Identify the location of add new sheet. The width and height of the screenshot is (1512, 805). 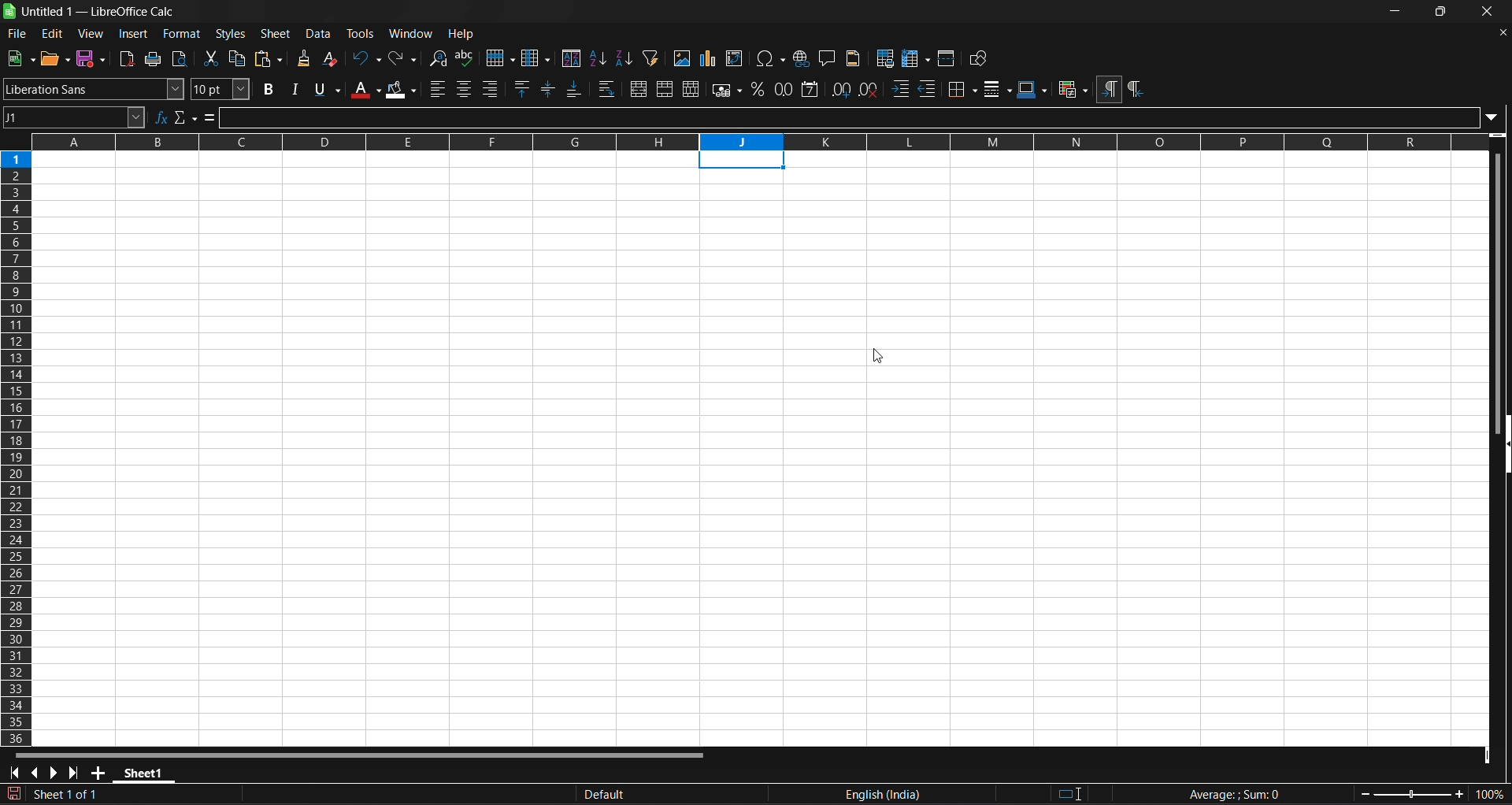
(98, 772).